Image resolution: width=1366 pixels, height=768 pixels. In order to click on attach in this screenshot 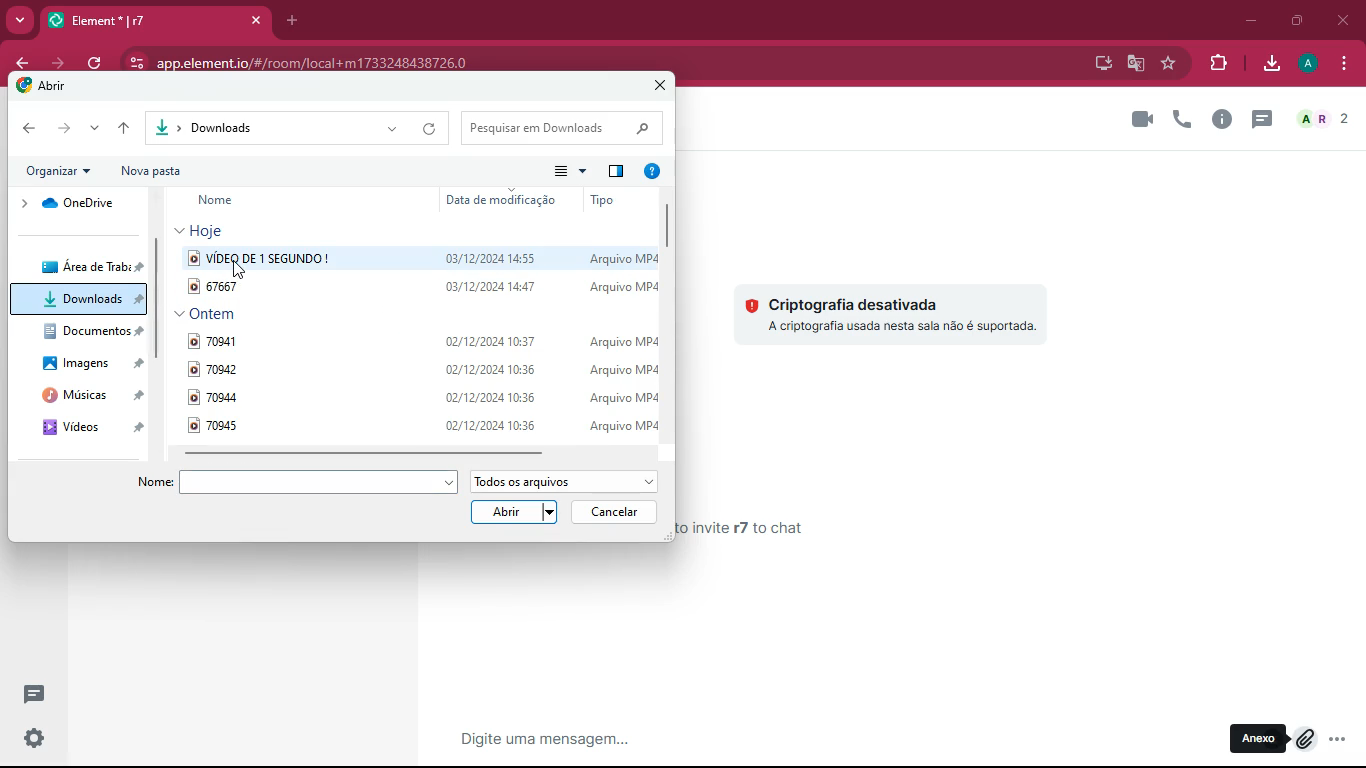, I will do `click(1302, 743)`.